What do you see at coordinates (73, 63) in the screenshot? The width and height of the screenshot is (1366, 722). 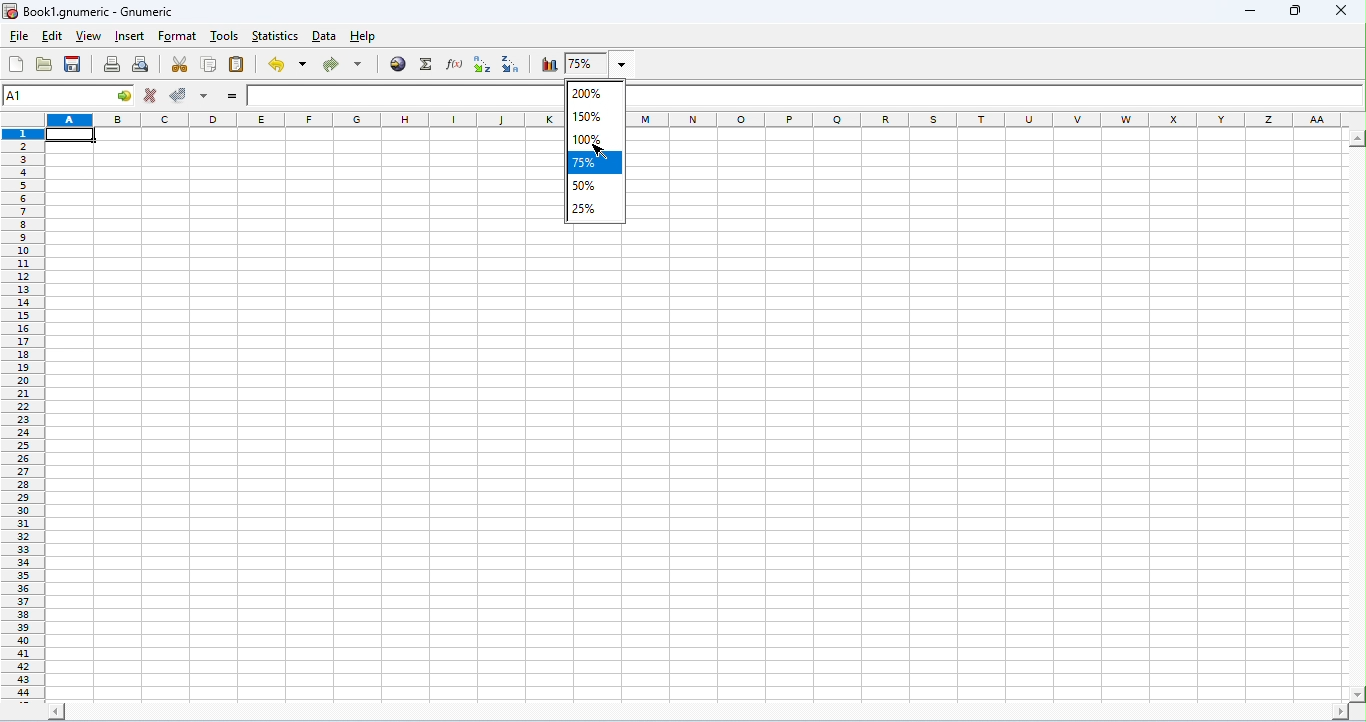 I see `save` at bounding box center [73, 63].